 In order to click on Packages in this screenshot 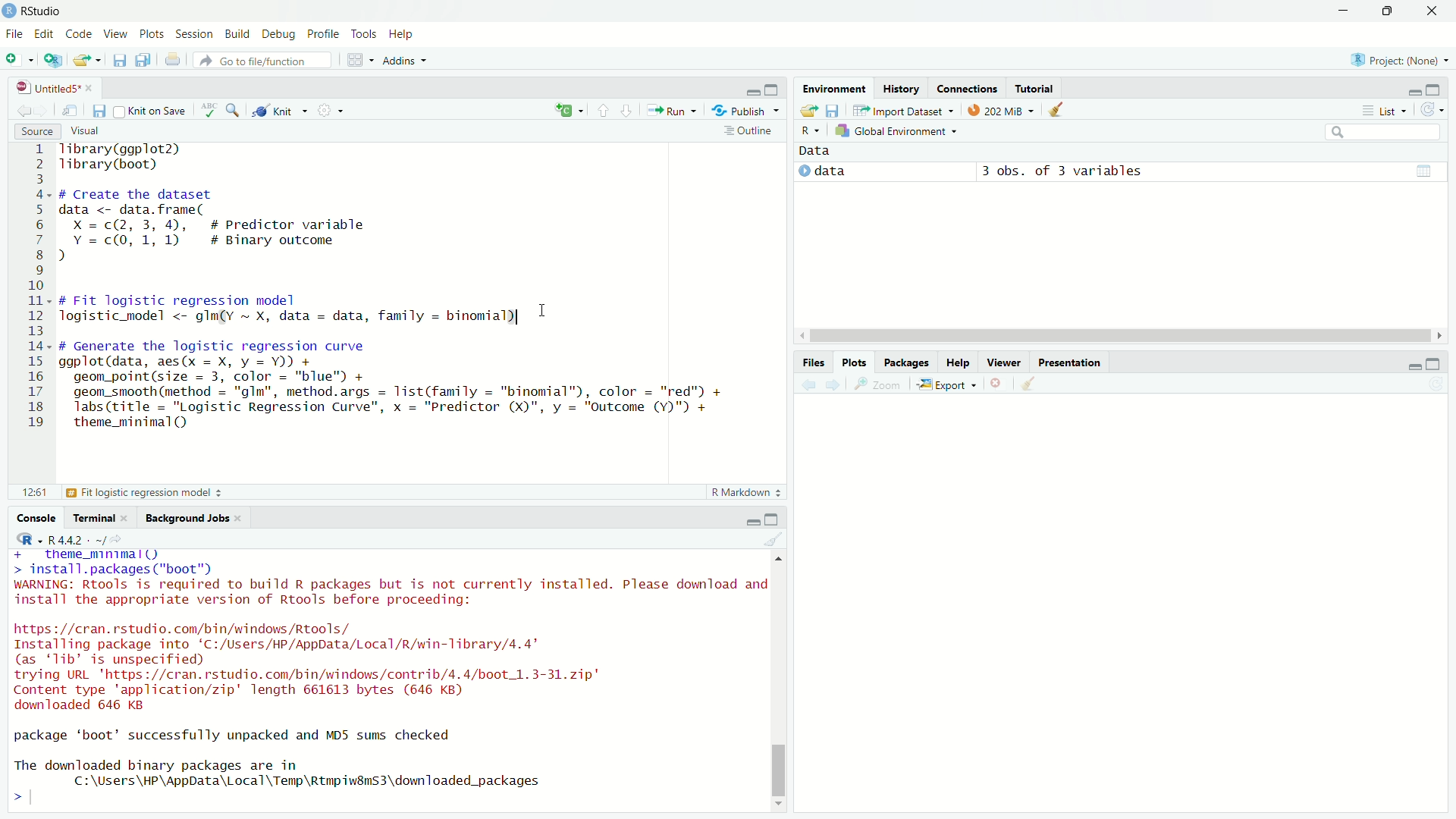, I will do `click(905, 361)`.